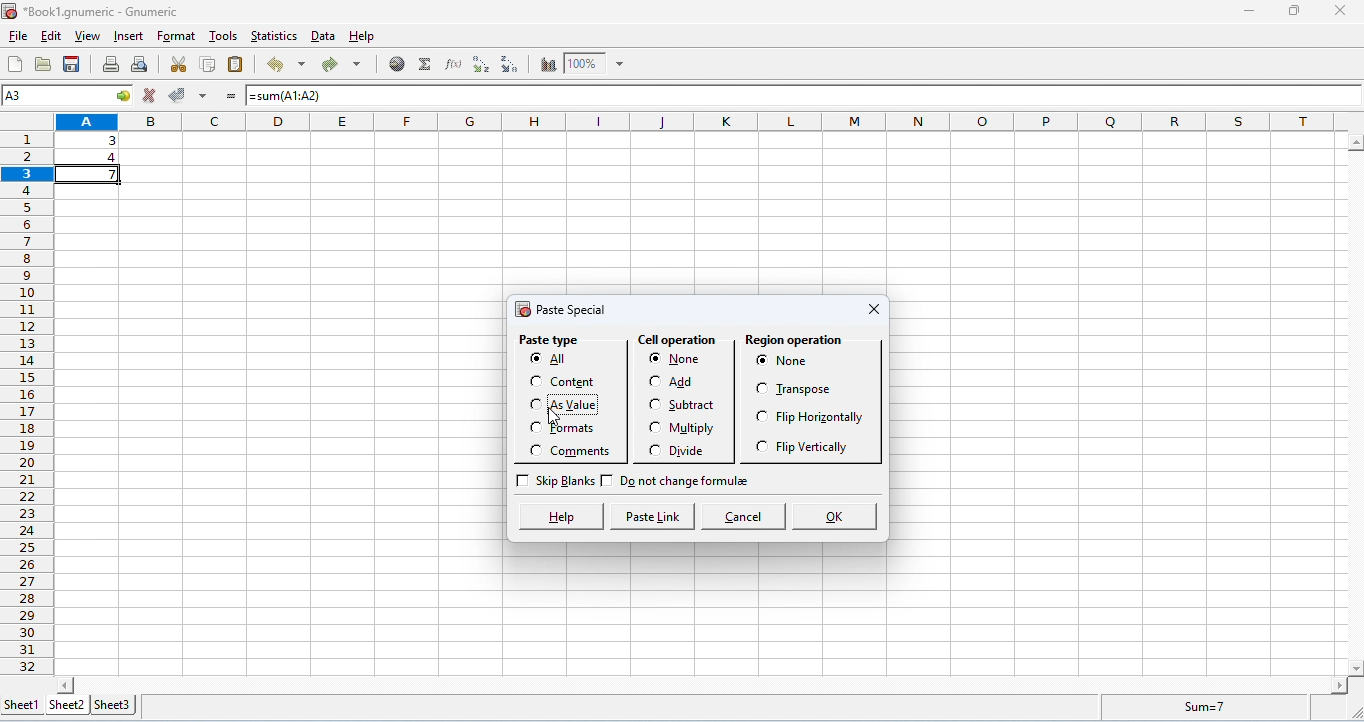  Describe the element at coordinates (52, 35) in the screenshot. I see `edit` at that location.